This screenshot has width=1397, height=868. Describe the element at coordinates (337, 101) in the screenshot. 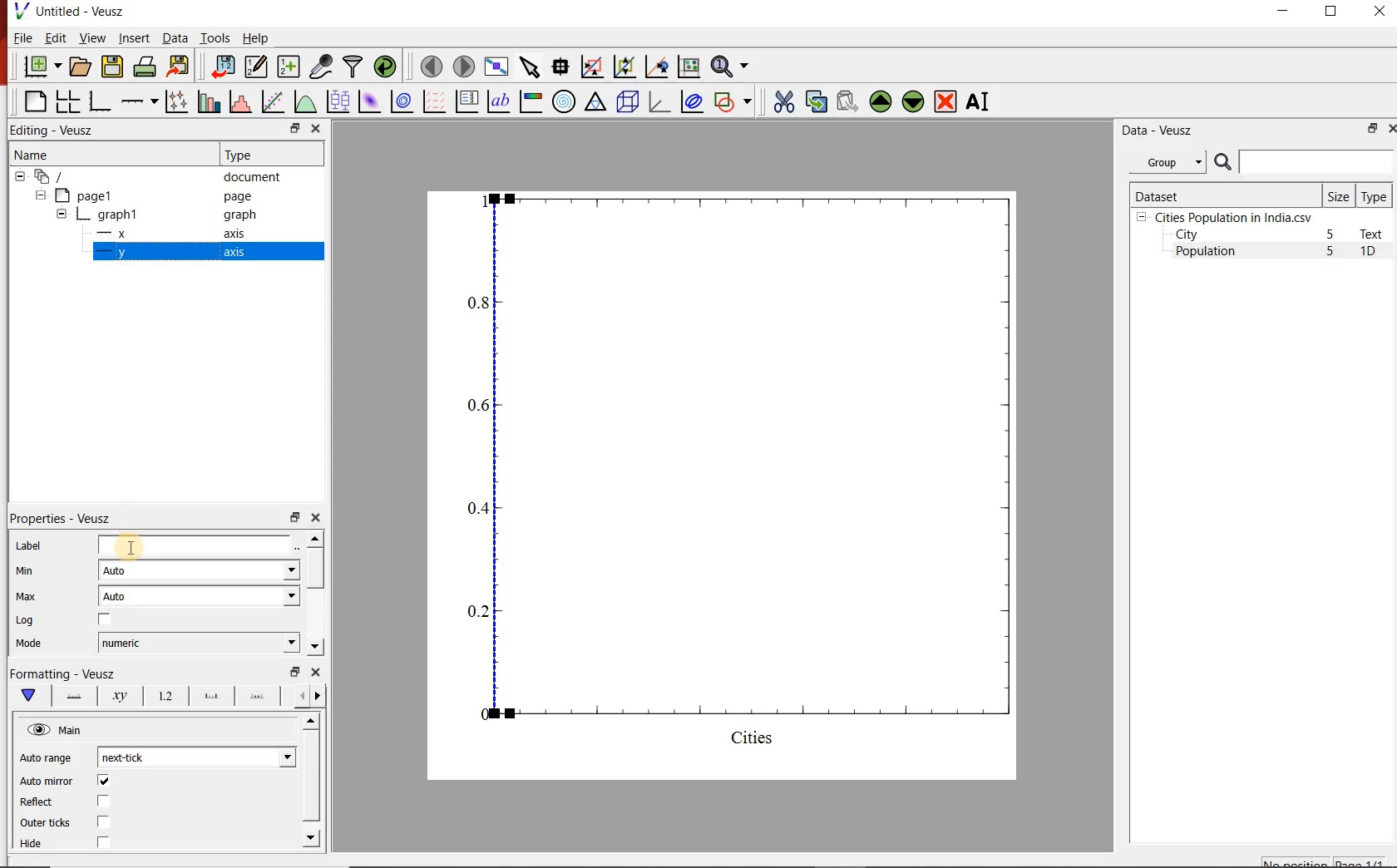

I see `plot box plots` at that location.